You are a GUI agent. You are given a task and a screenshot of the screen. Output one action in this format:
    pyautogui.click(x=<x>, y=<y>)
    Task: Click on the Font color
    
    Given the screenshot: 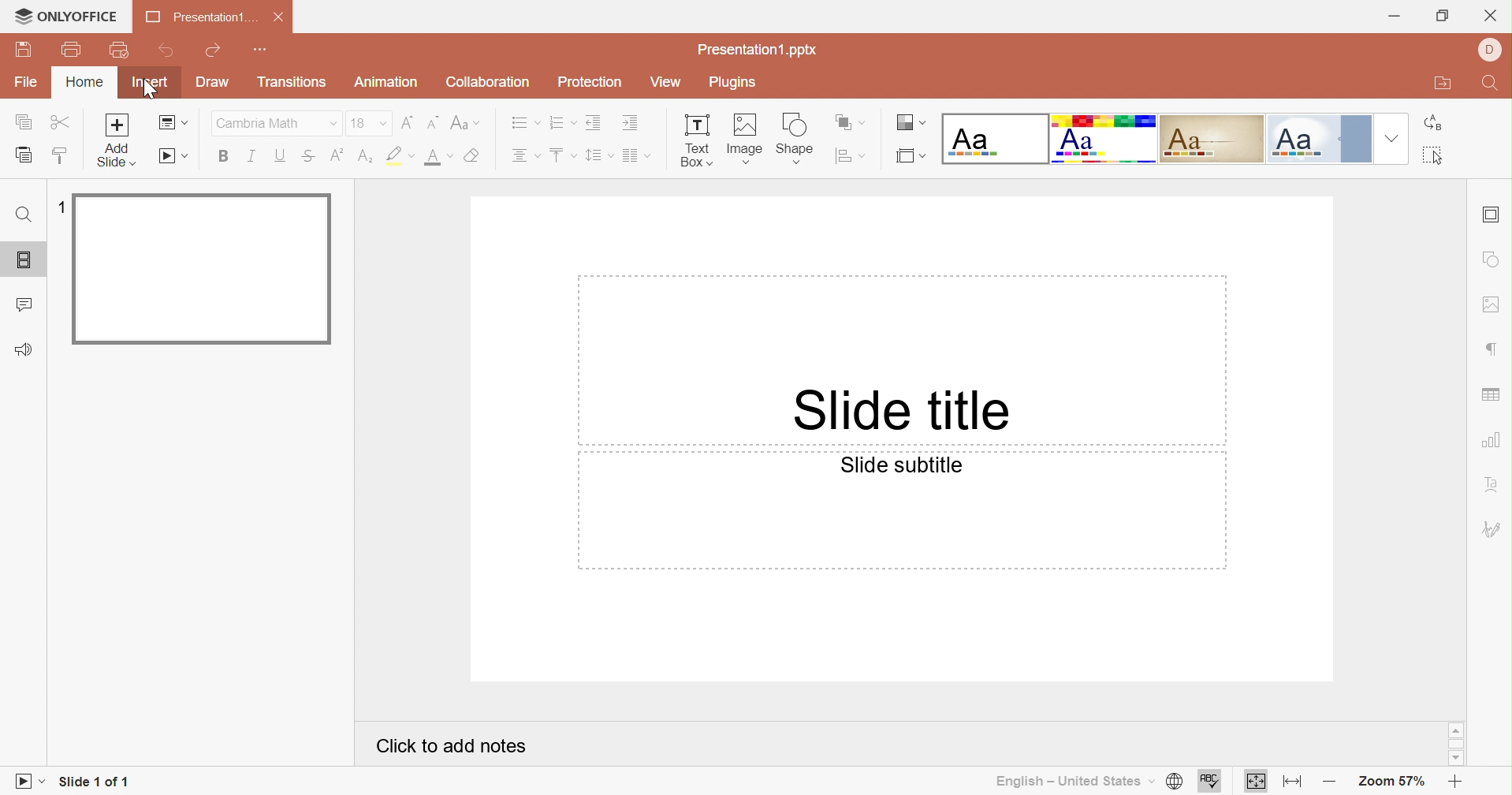 What is the action you would take?
    pyautogui.click(x=439, y=158)
    